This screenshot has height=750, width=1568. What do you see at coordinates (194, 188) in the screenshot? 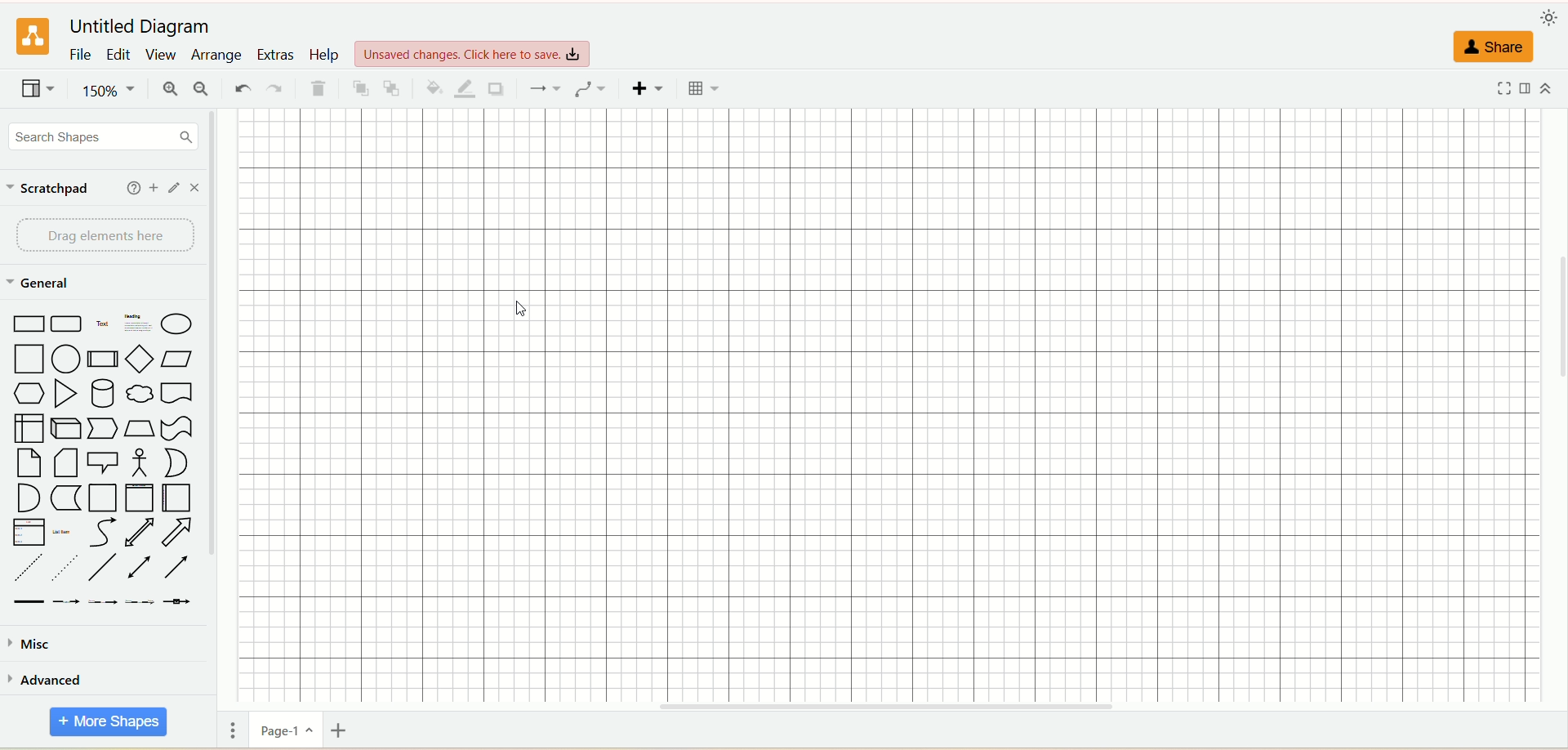
I see `close` at bounding box center [194, 188].